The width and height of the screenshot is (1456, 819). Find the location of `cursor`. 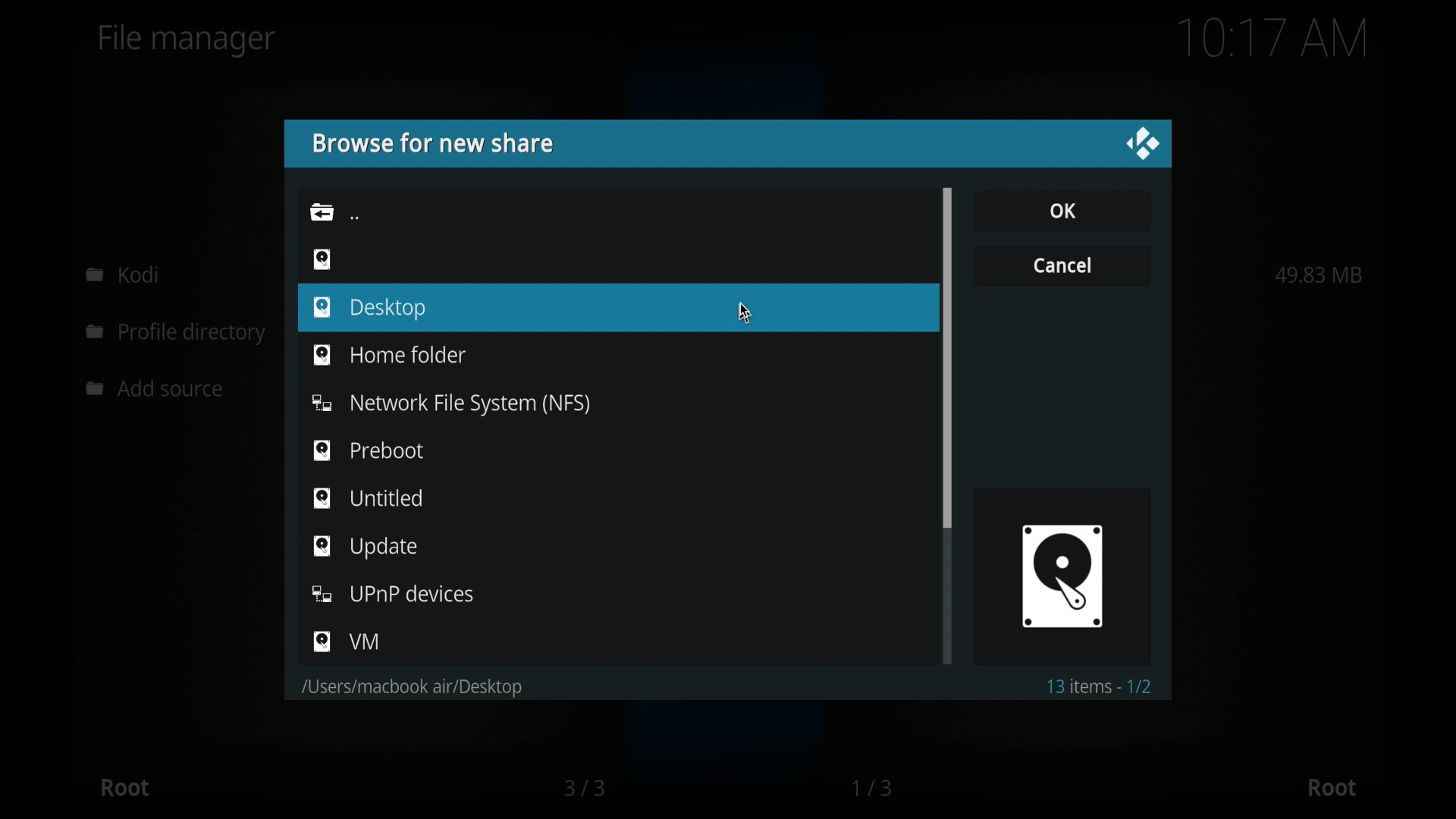

cursor is located at coordinates (745, 312).